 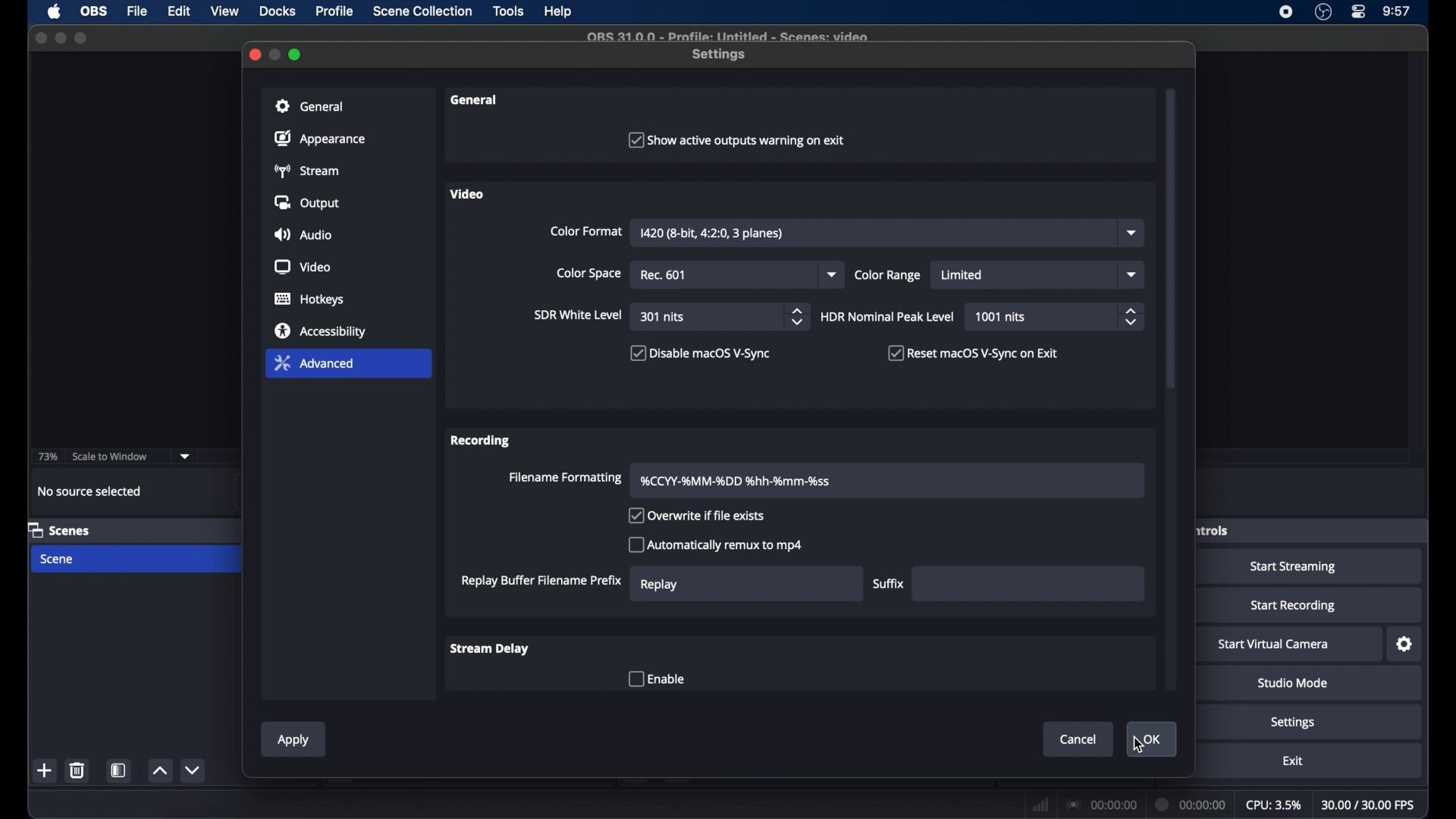 What do you see at coordinates (1139, 744) in the screenshot?
I see `cursor` at bounding box center [1139, 744].